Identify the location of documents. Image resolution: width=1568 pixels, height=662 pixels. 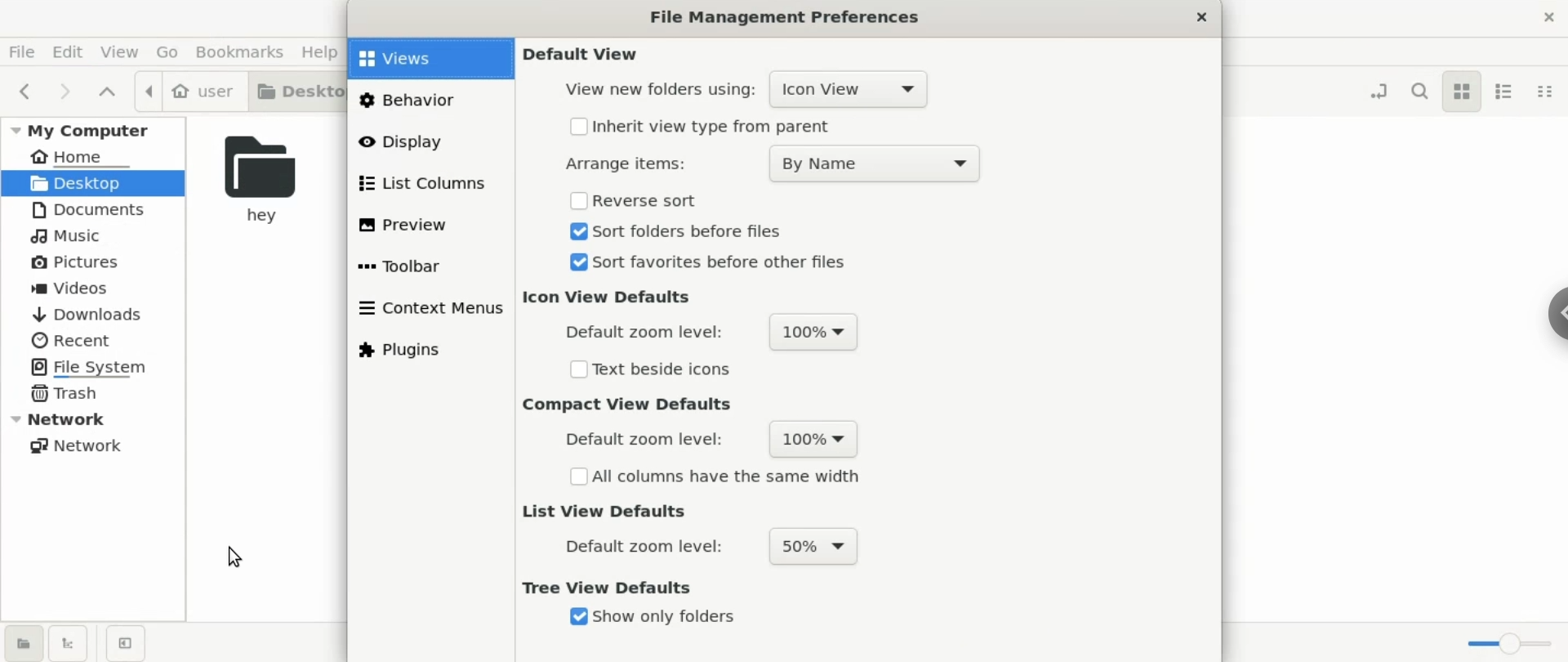
(90, 212).